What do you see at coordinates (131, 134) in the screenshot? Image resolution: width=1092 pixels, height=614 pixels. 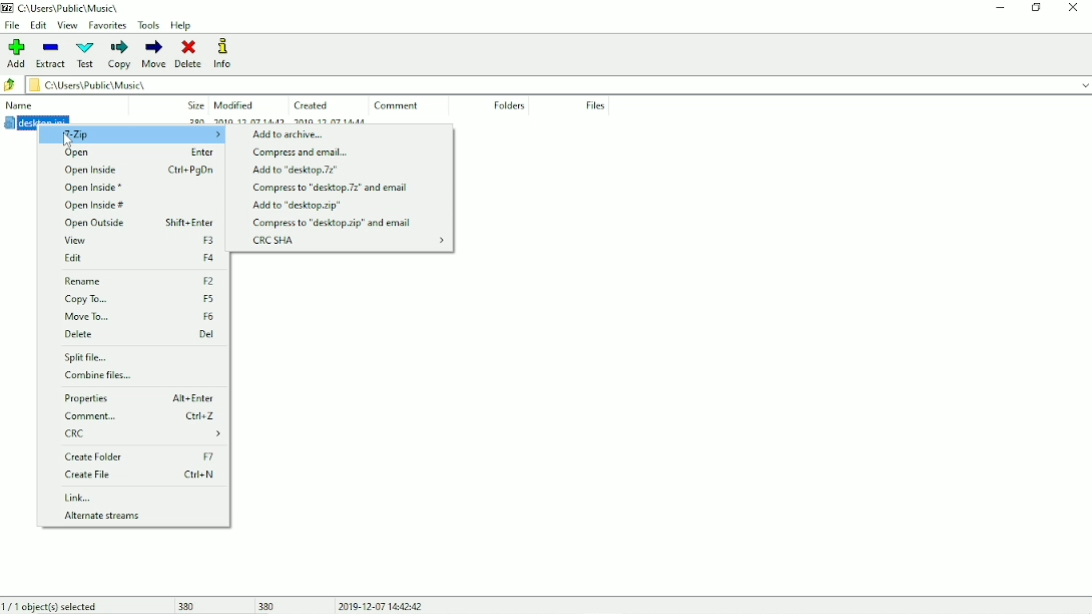 I see `7-Zip` at bounding box center [131, 134].